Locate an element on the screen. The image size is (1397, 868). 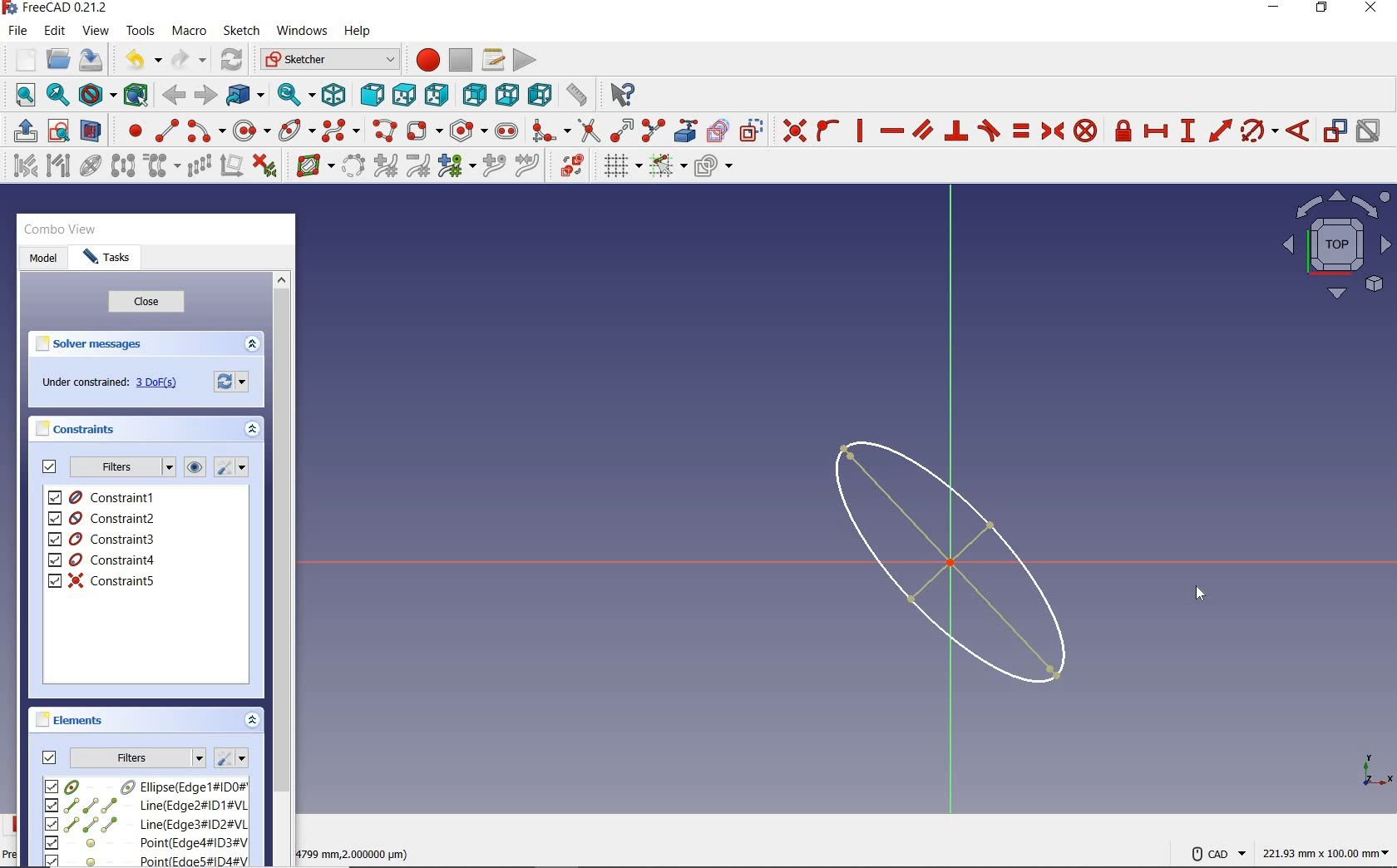
collapse is located at coordinates (254, 432).